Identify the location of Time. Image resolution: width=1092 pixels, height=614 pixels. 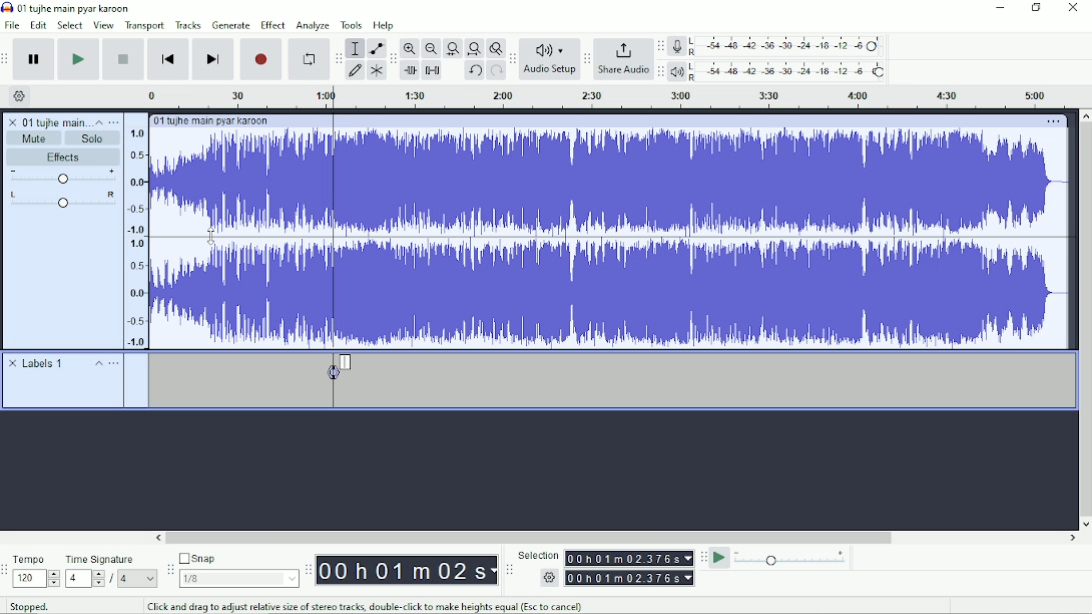
(406, 570).